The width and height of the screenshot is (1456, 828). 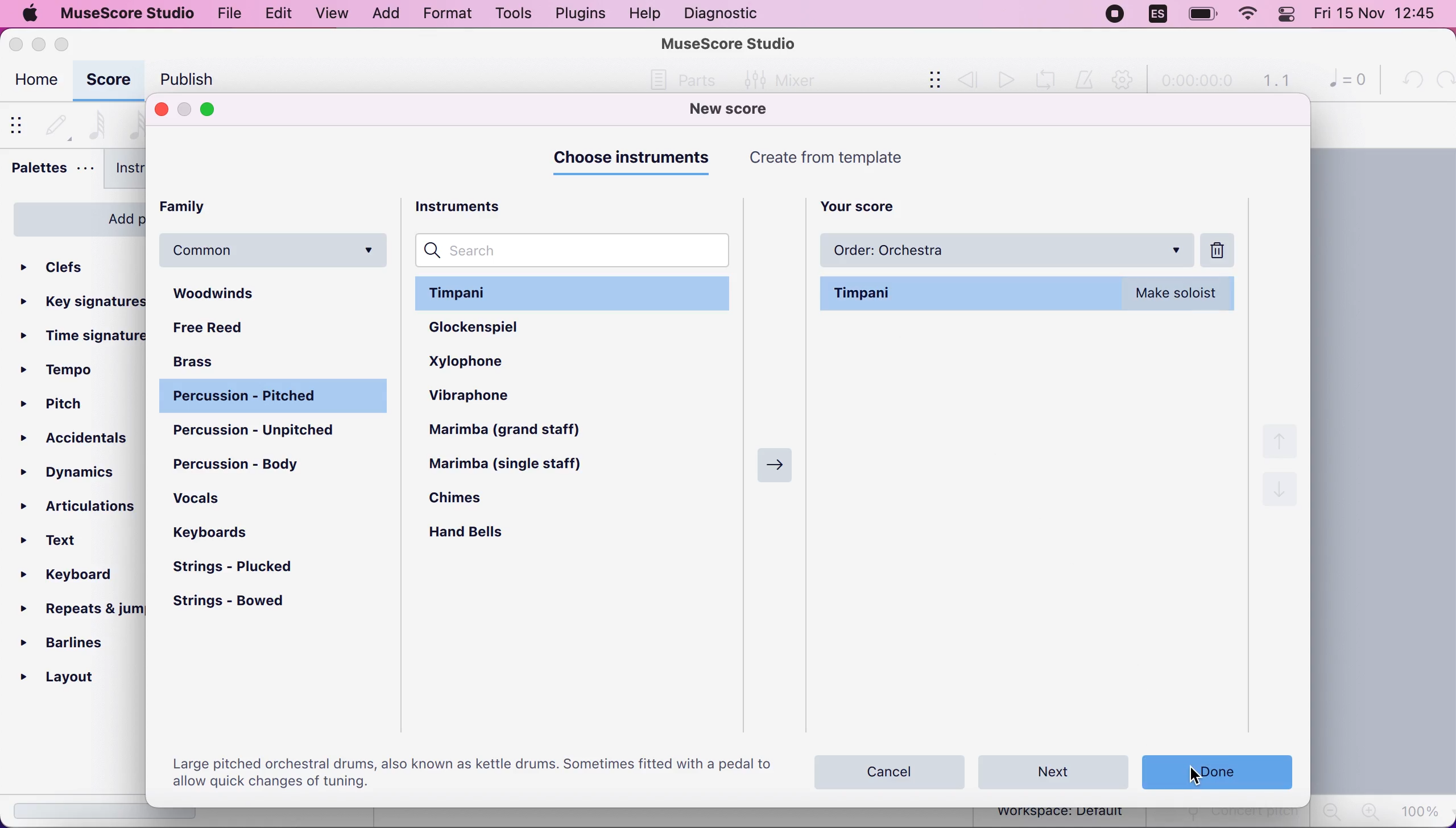 I want to click on instruments, so click(x=473, y=205).